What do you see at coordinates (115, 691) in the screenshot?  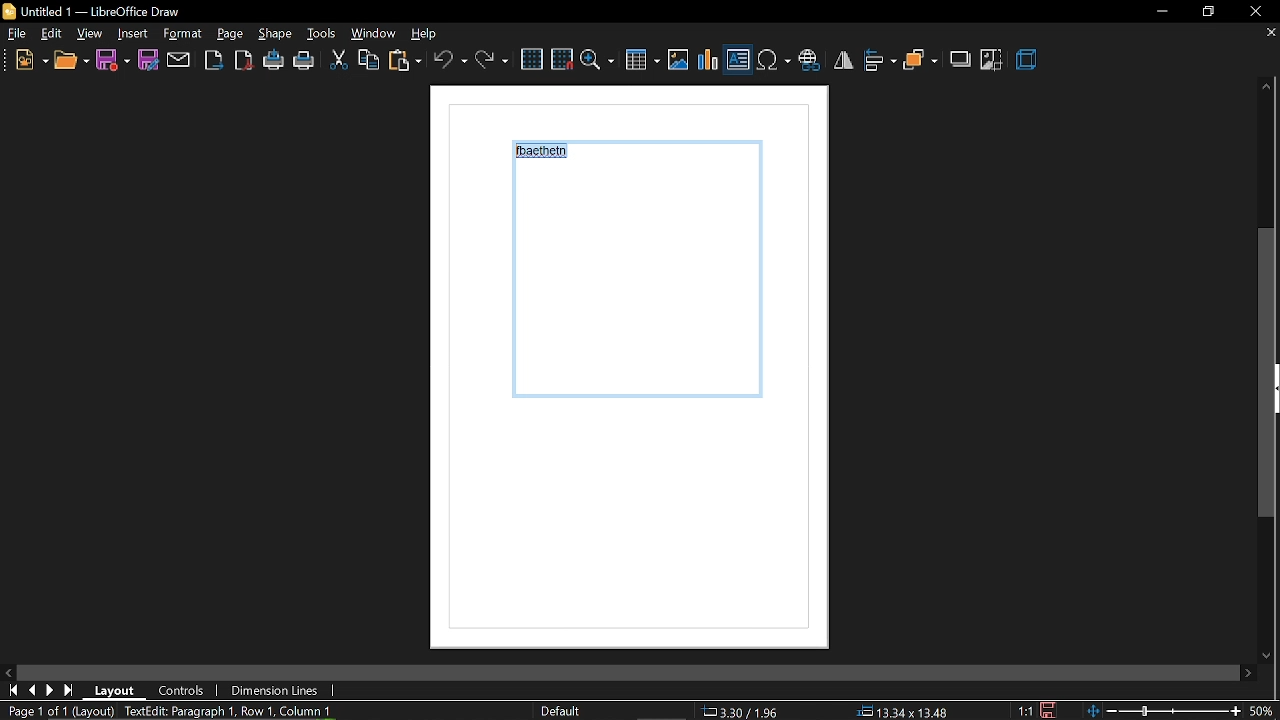 I see `layout` at bounding box center [115, 691].